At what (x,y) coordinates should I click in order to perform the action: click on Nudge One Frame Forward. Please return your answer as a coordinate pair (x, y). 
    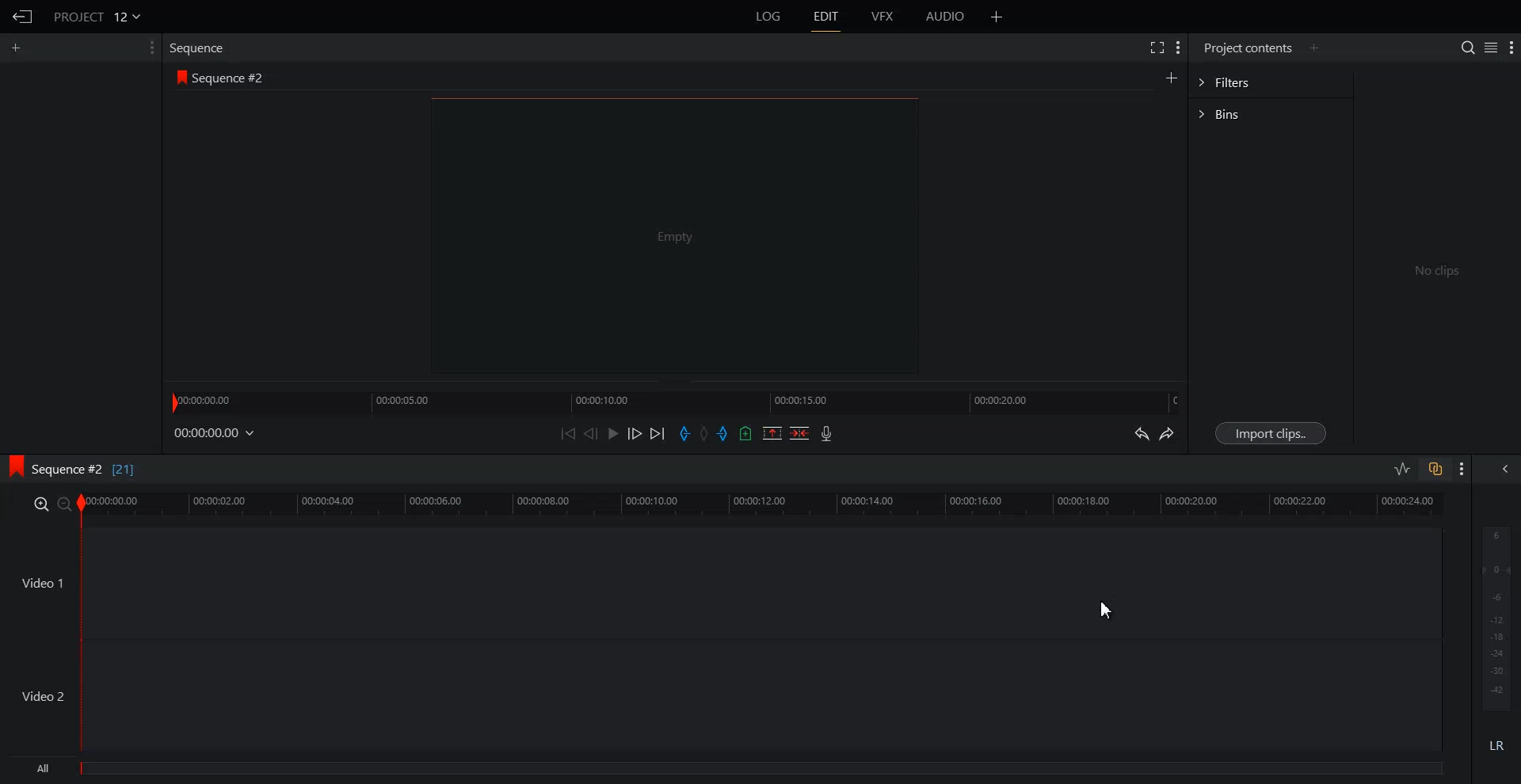
    Looking at the image, I should click on (635, 434).